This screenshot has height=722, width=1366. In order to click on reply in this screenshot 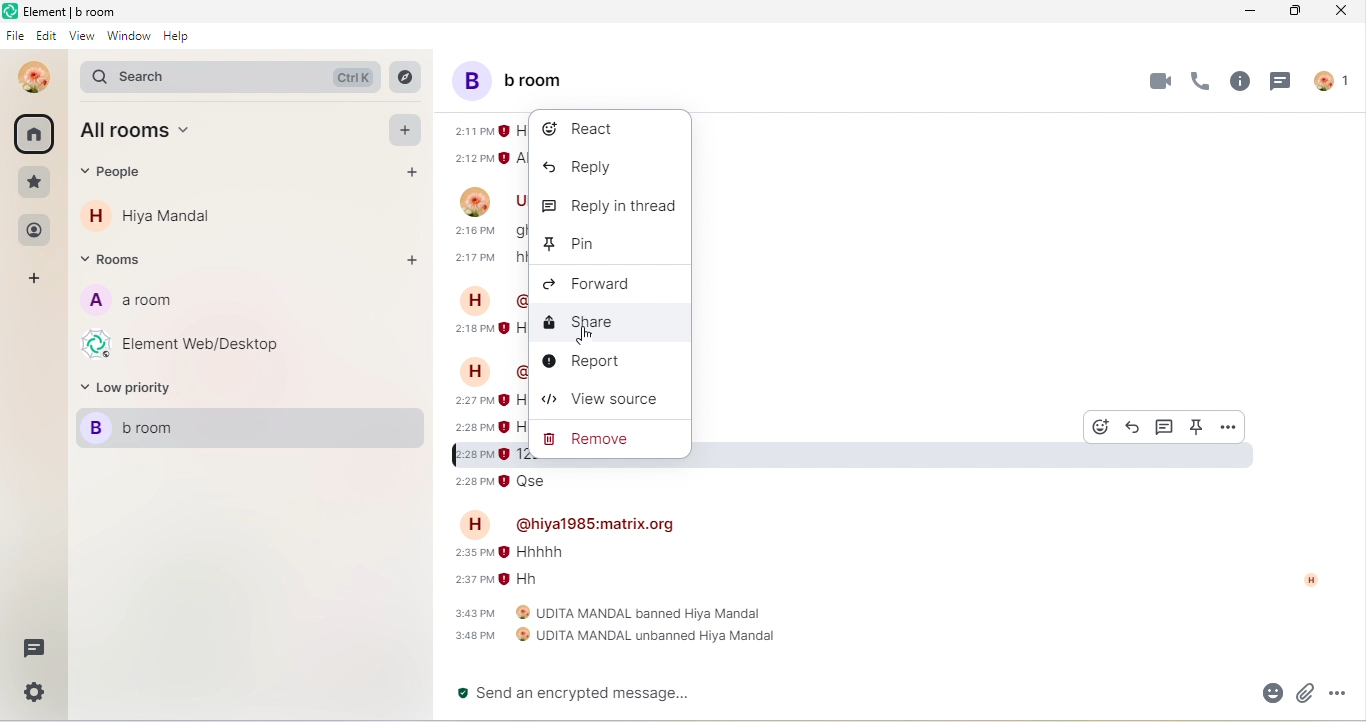, I will do `click(1133, 427)`.